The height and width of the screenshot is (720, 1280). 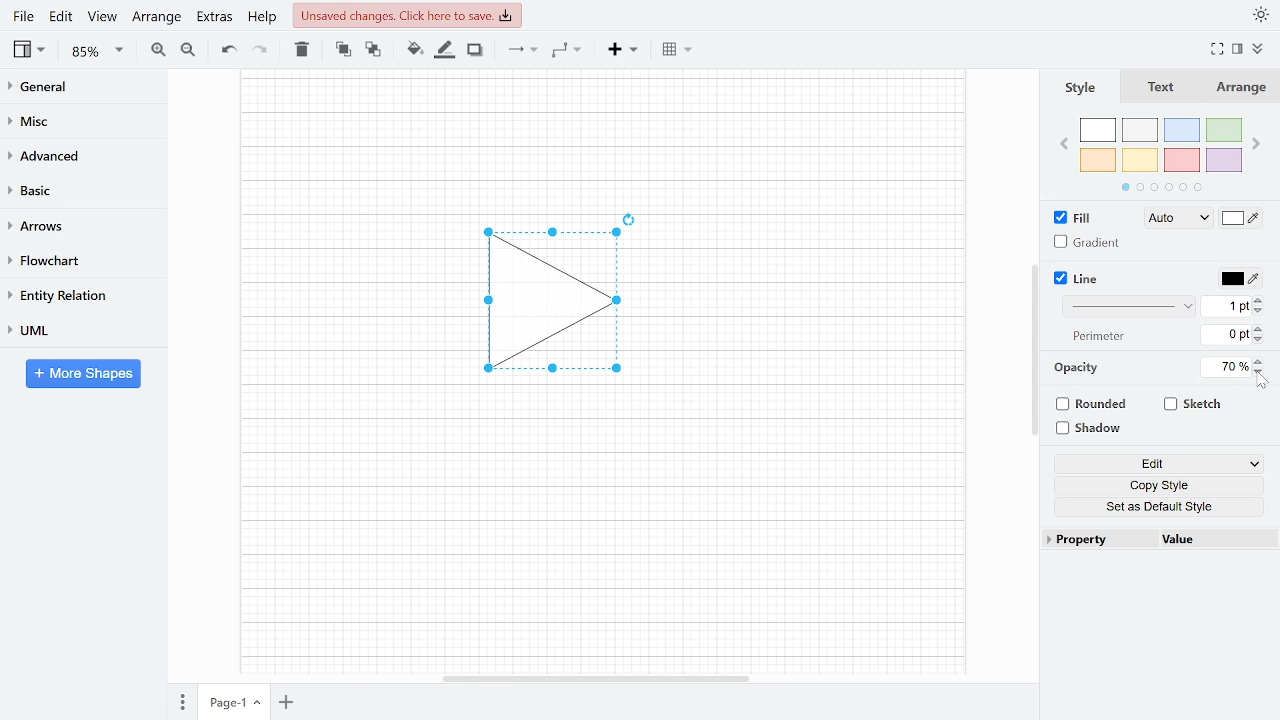 What do you see at coordinates (623, 48) in the screenshot?
I see `Insert` at bounding box center [623, 48].